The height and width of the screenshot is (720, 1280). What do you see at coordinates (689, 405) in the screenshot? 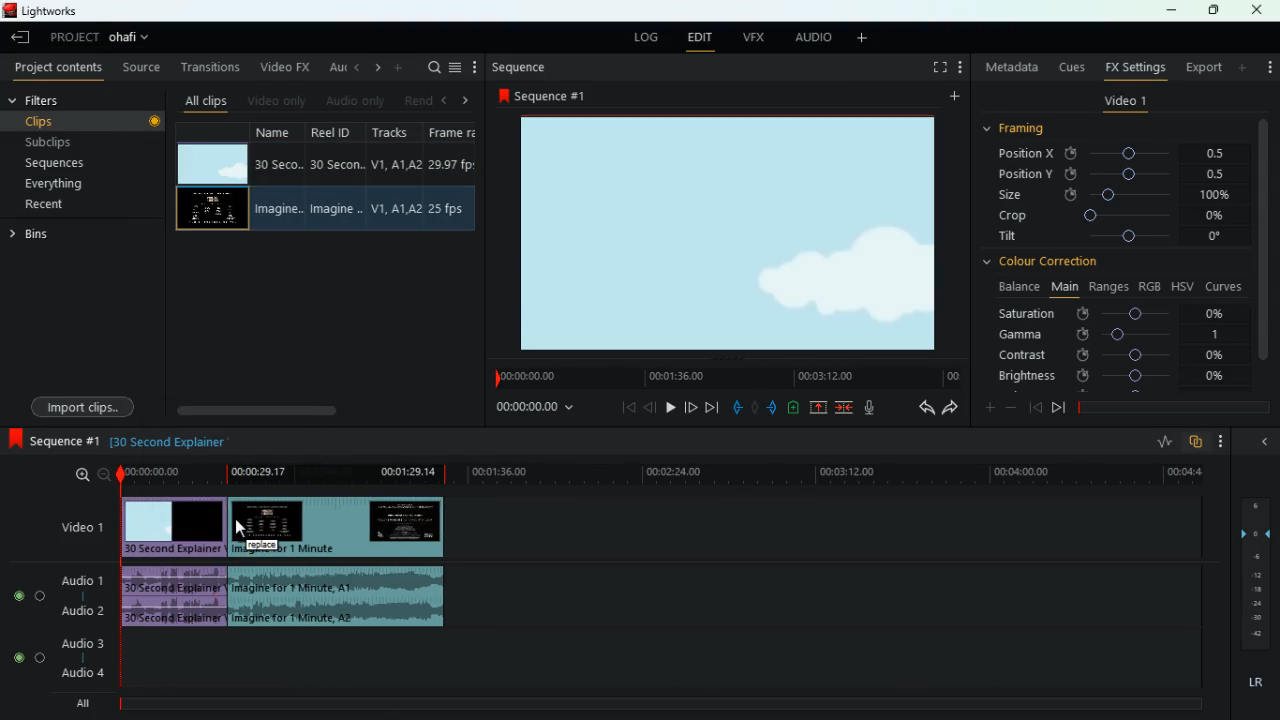
I see `front` at bounding box center [689, 405].